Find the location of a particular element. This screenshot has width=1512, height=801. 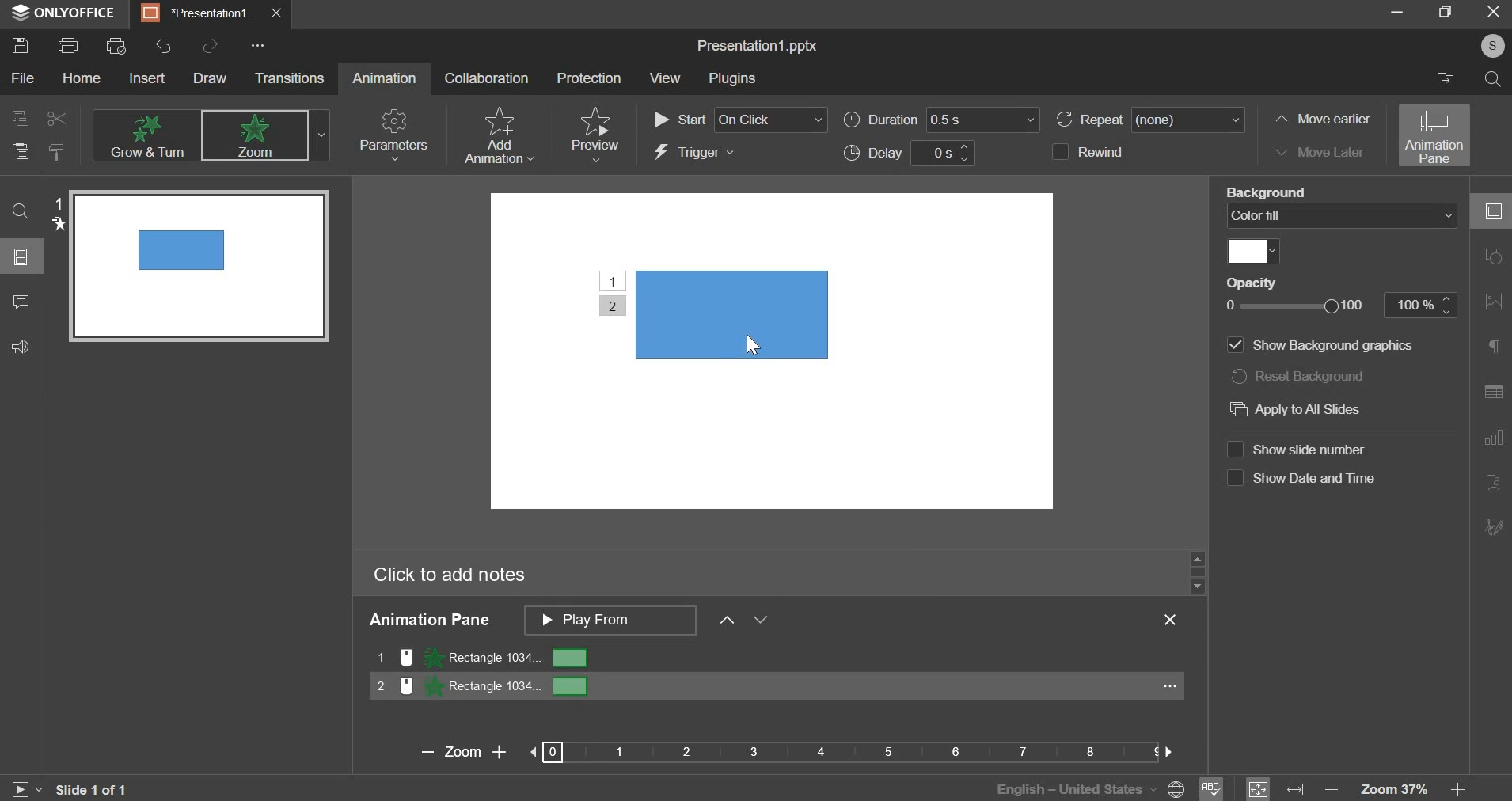

Insert Audio/Video is located at coordinates (1495, 482).